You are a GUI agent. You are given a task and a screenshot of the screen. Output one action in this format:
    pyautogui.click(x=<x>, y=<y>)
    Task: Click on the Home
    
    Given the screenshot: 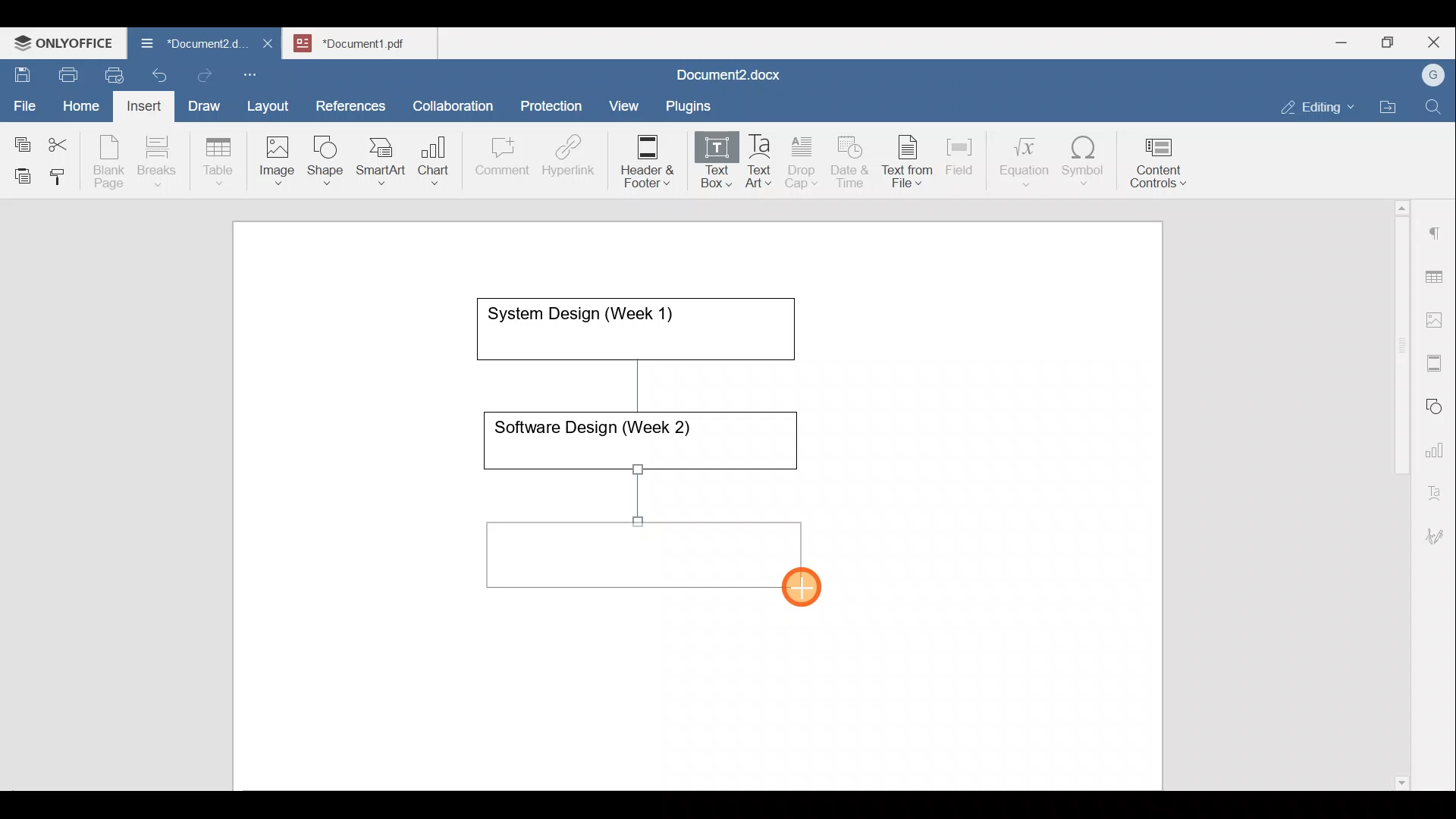 What is the action you would take?
    pyautogui.click(x=82, y=105)
    